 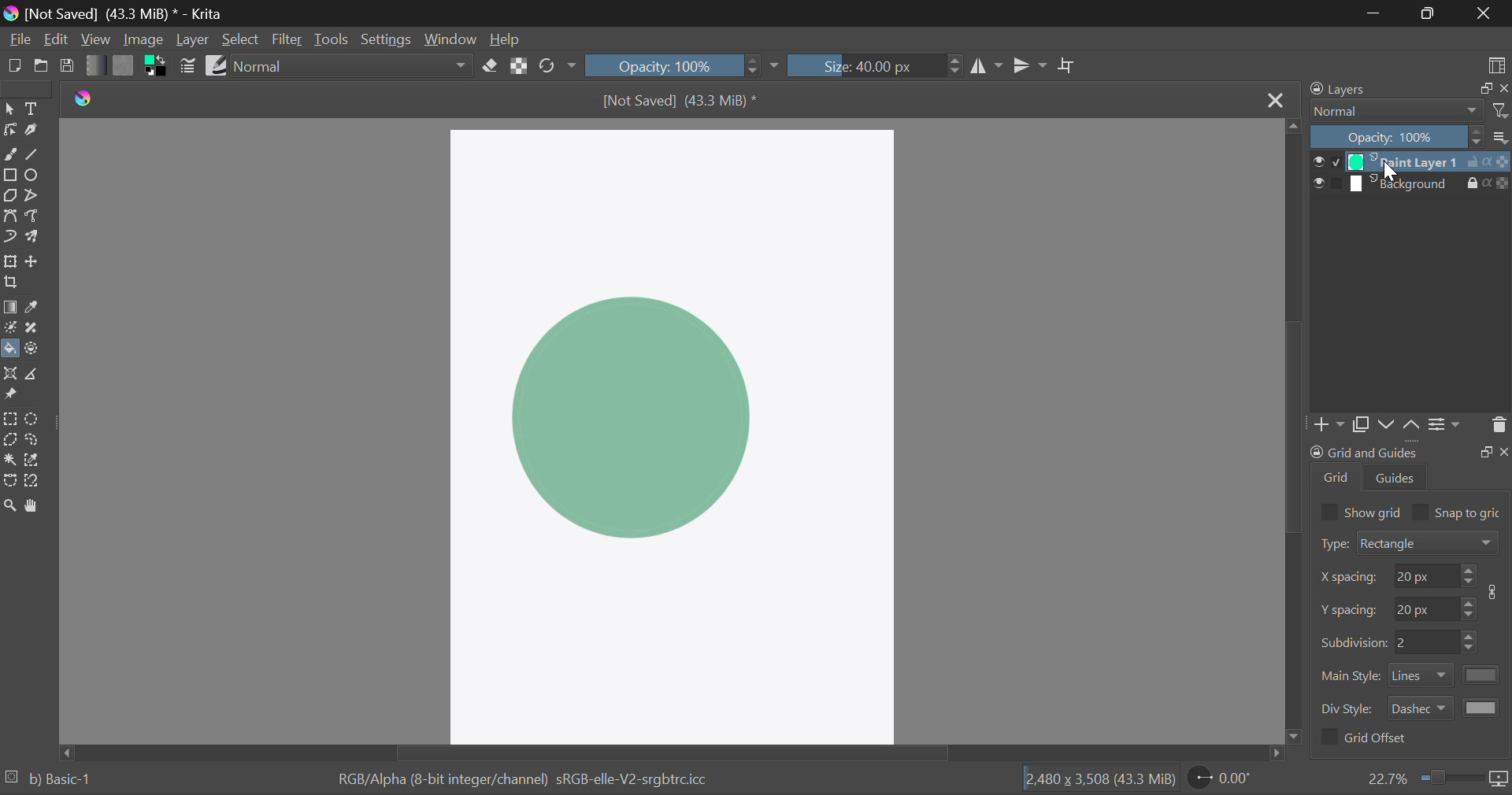 I want to click on Minimize, so click(x=1431, y=13).